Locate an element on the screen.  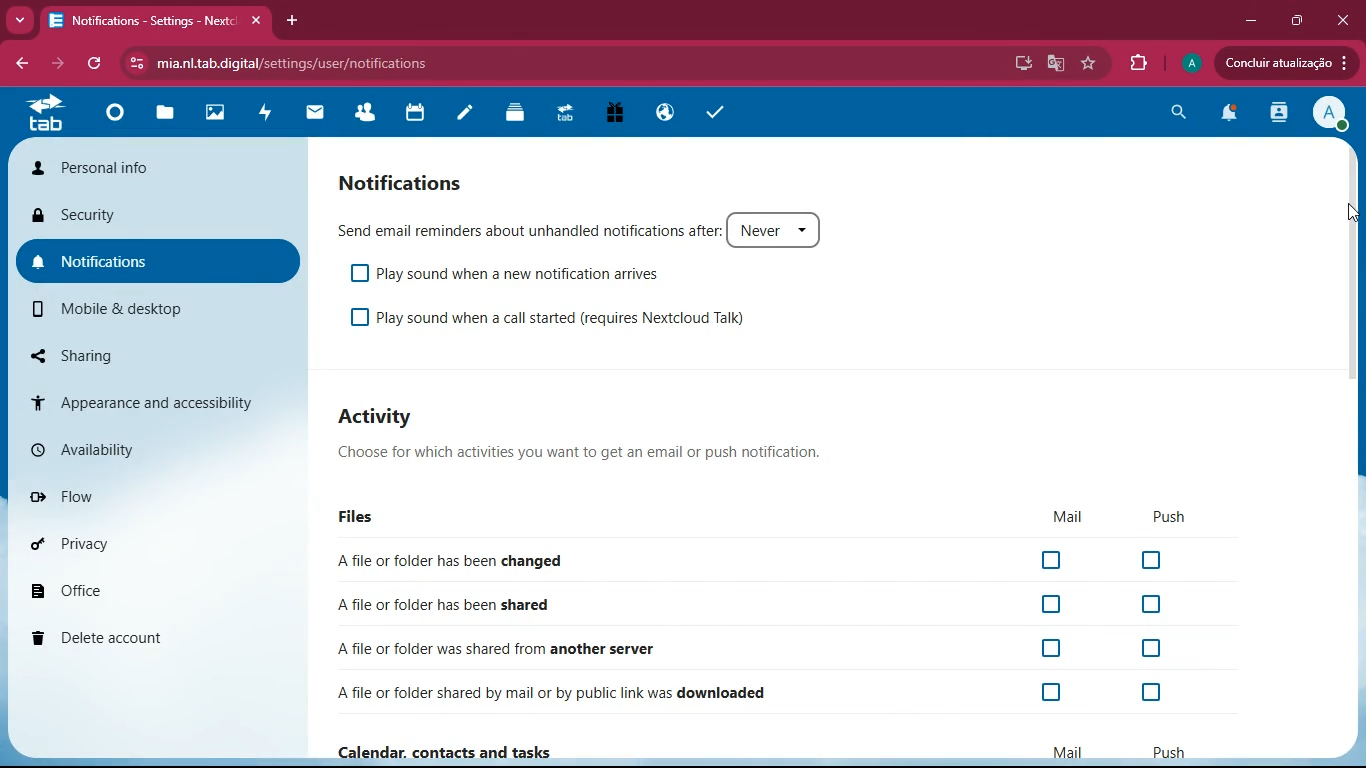
availability is located at coordinates (156, 450).